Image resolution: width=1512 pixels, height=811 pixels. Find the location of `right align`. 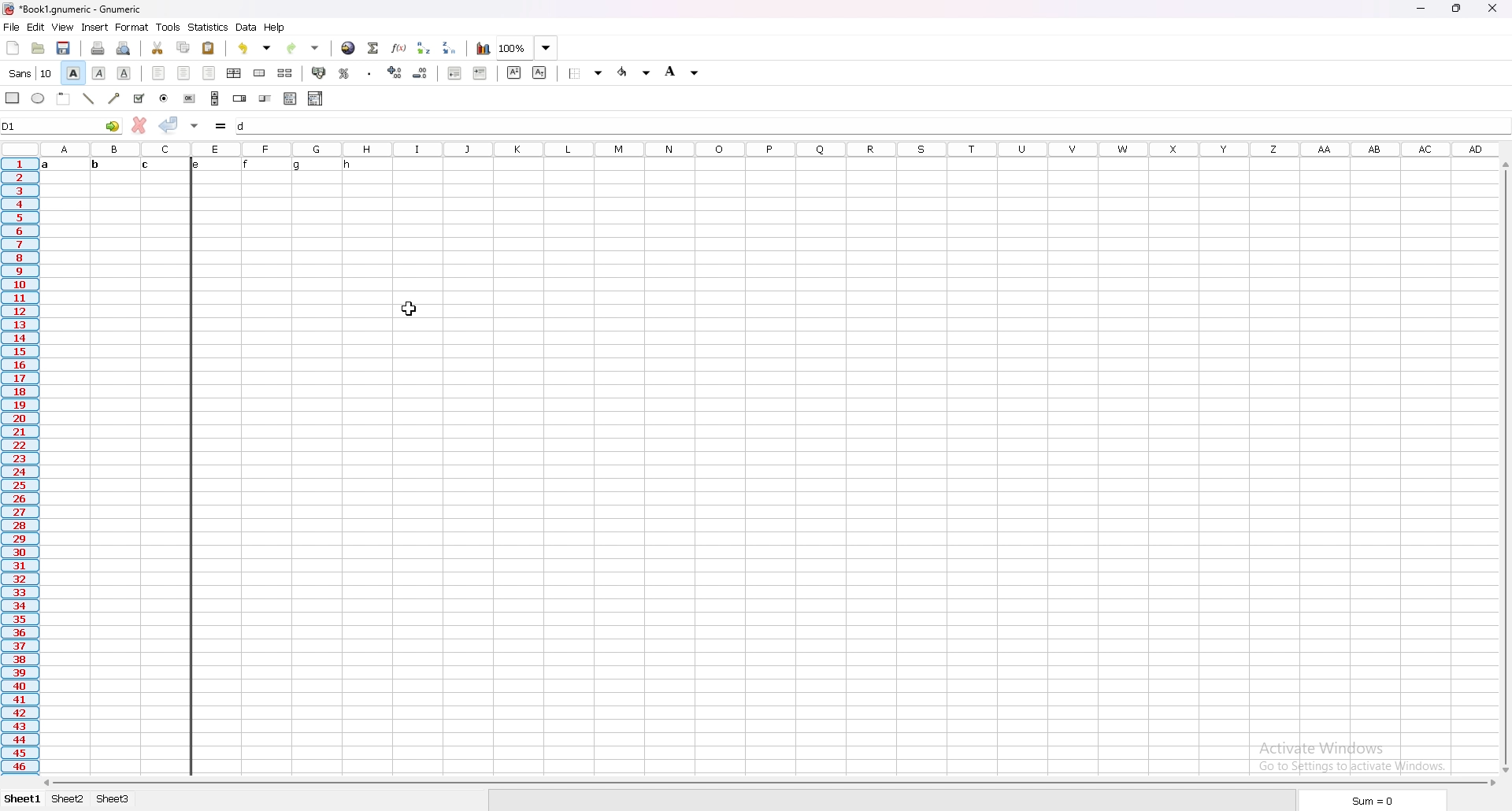

right align is located at coordinates (210, 72).